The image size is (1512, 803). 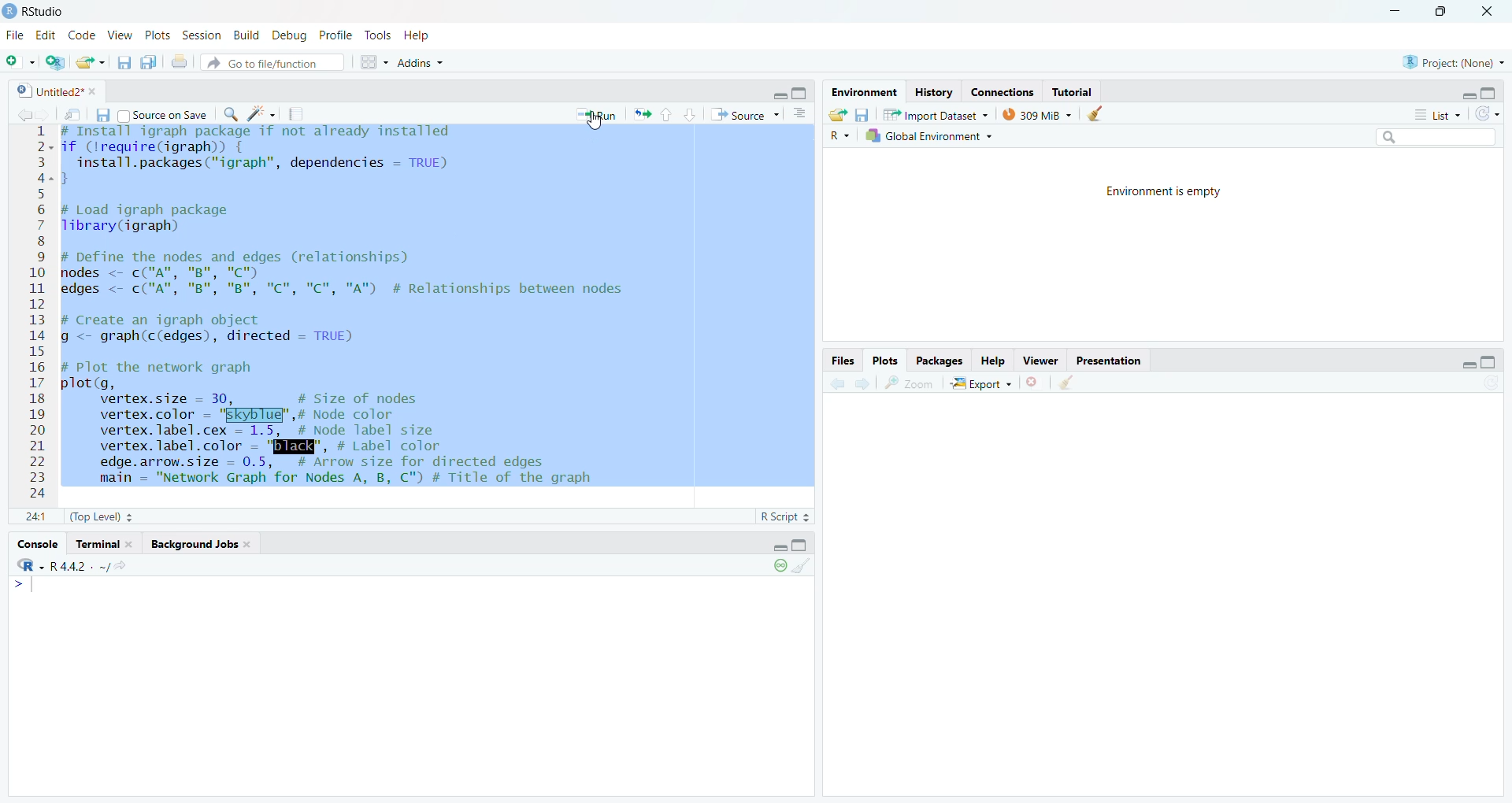 I want to click on print, so click(x=180, y=61).